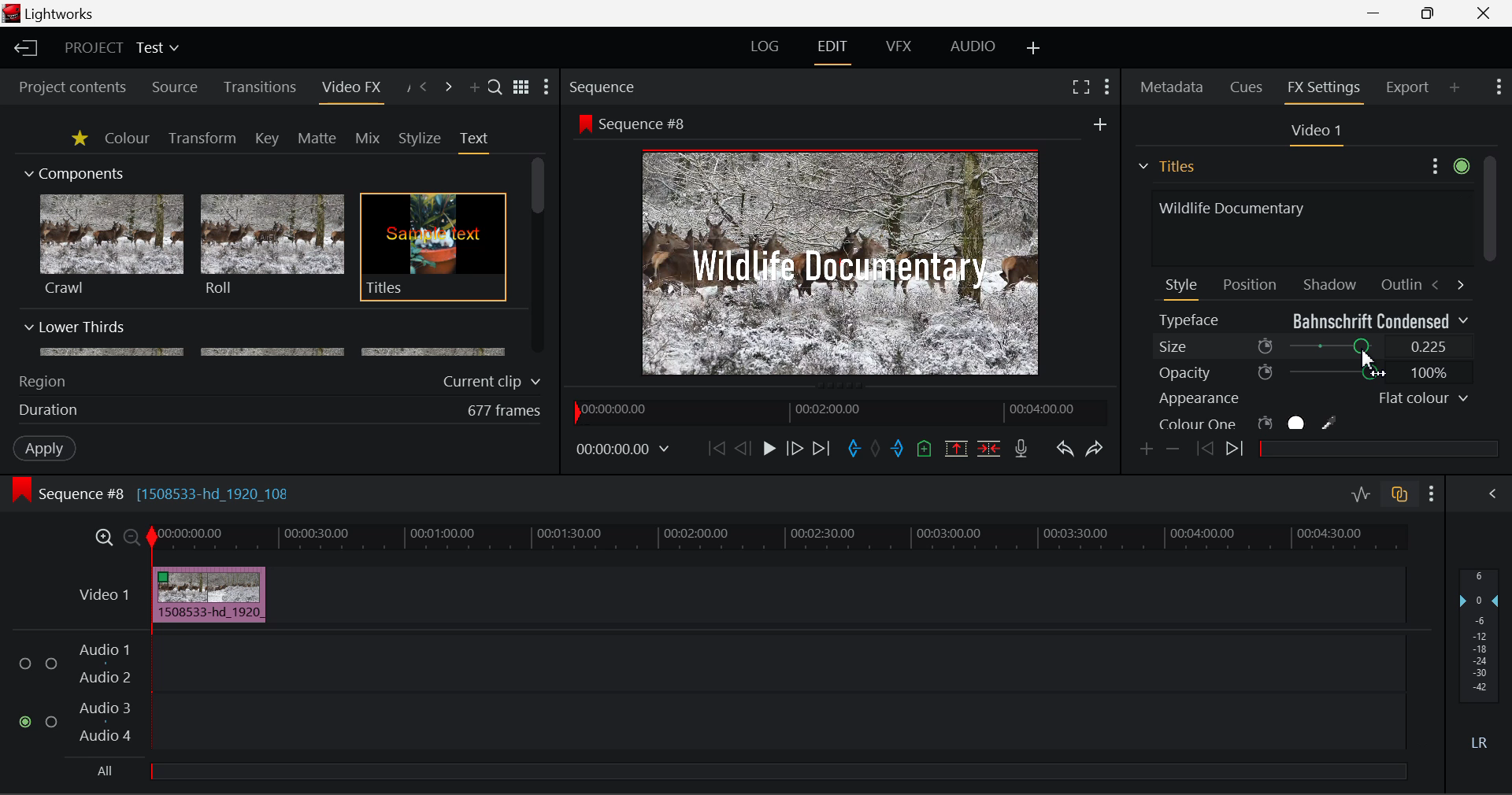  Describe the element at coordinates (123, 46) in the screenshot. I see `Project Title` at that location.